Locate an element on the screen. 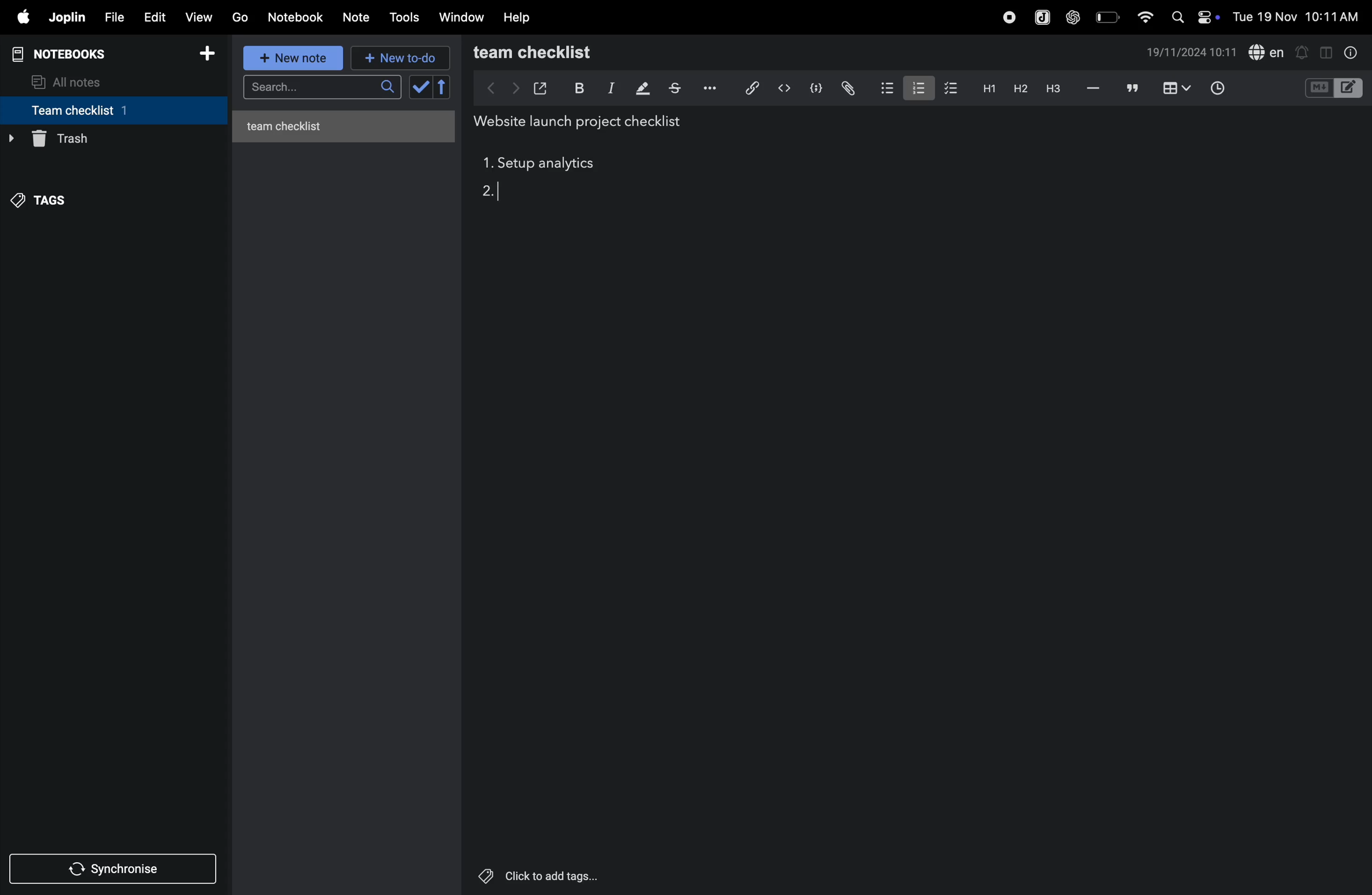   is located at coordinates (553, 876).